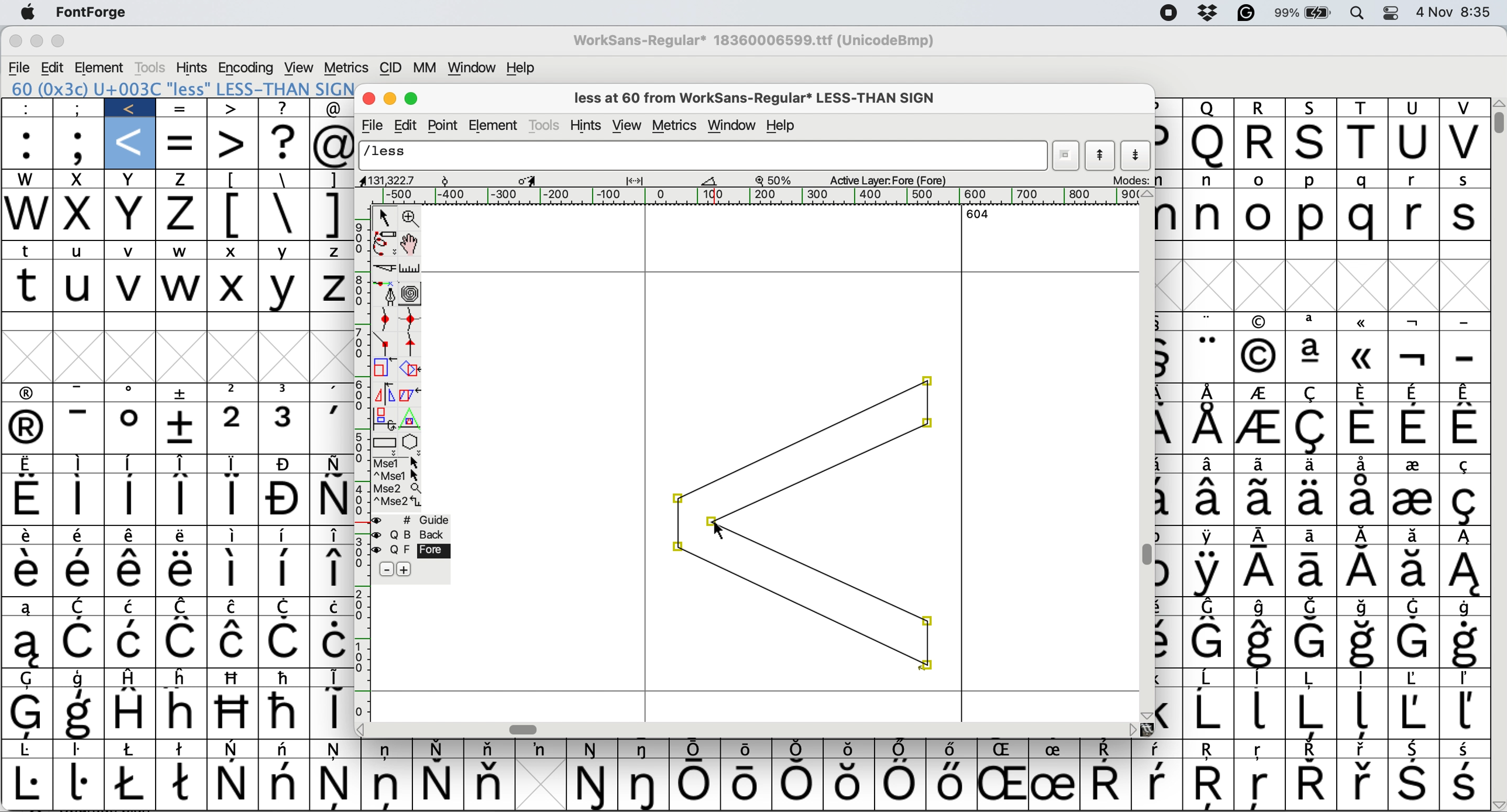 The height and width of the screenshot is (812, 1507). Describe the element at coordinates (285, 213) in the screenshot. I see `\` at that location.